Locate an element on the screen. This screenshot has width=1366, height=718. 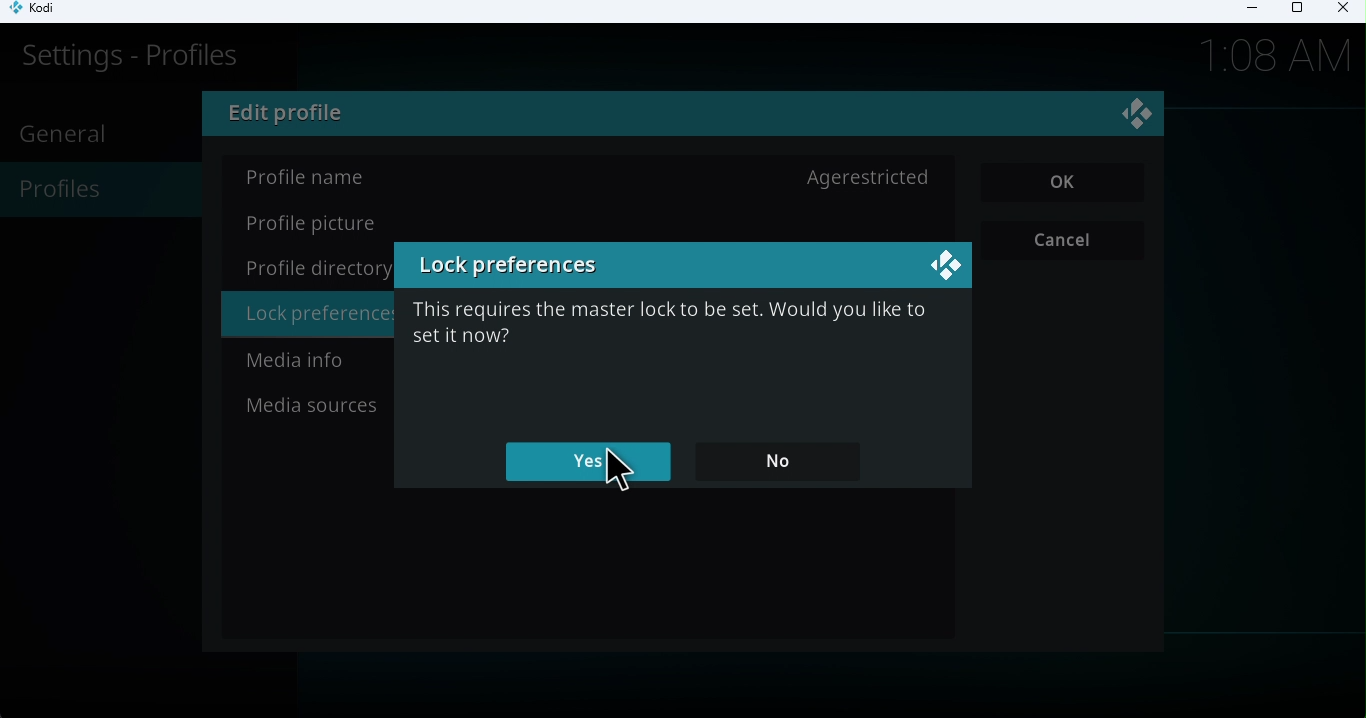
General is located at coordinates (68, 133).